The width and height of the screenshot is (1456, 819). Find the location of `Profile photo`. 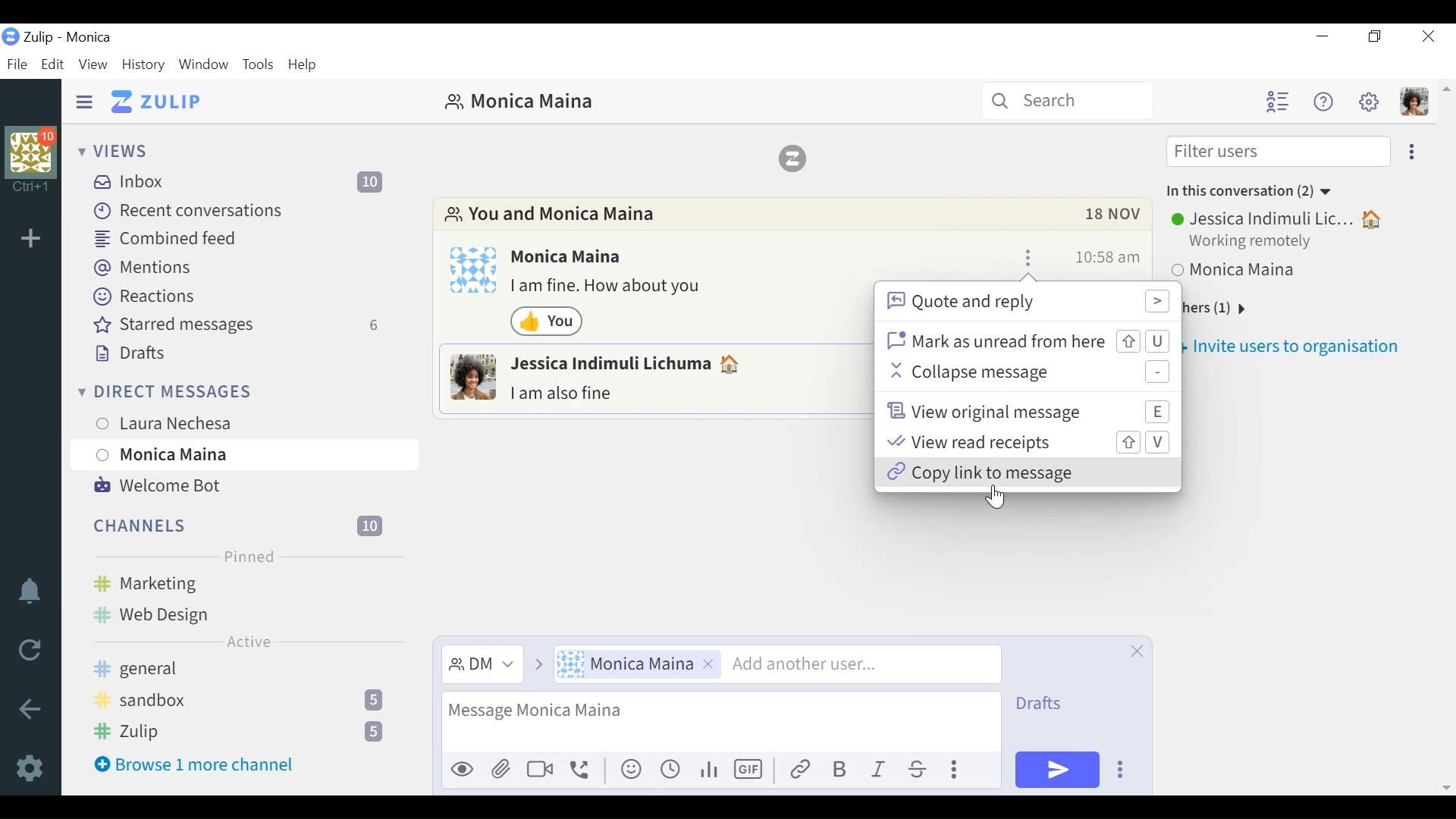

Profile photo is located at coordinates (474, 269).